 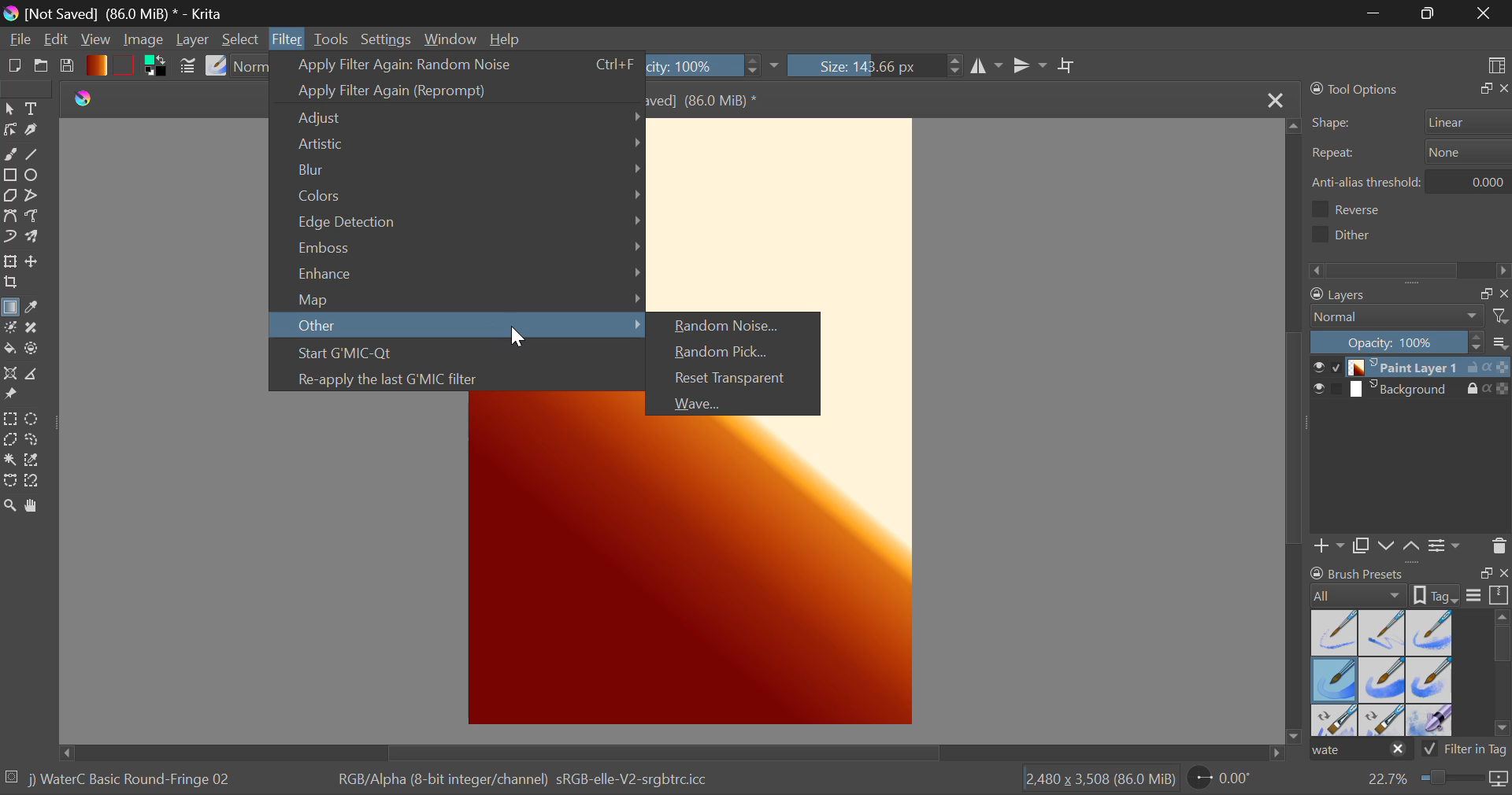 I want to click on Artistic, so click(x=457, y=146).